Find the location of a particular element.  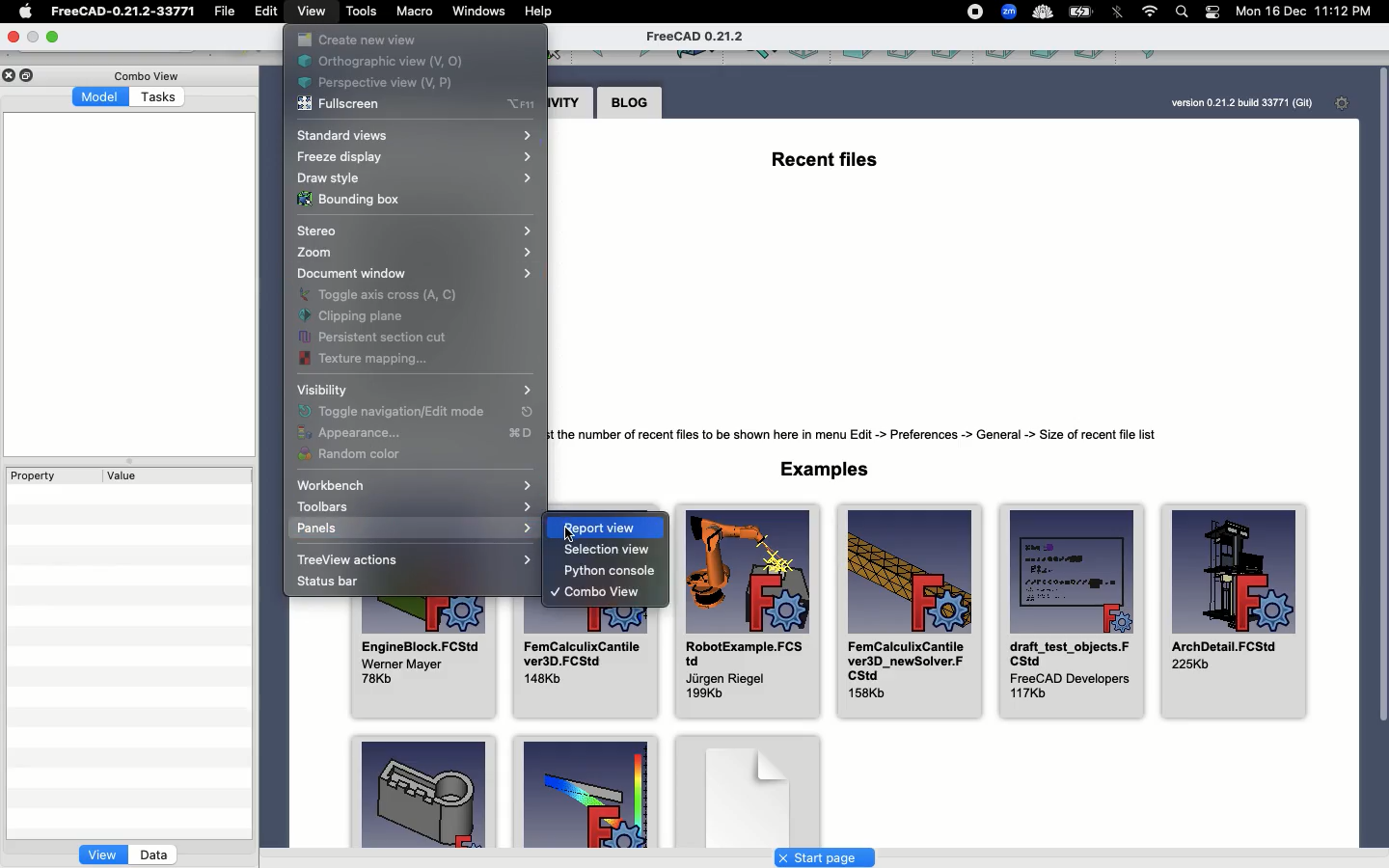

Close is located at coordinates (17, 38).